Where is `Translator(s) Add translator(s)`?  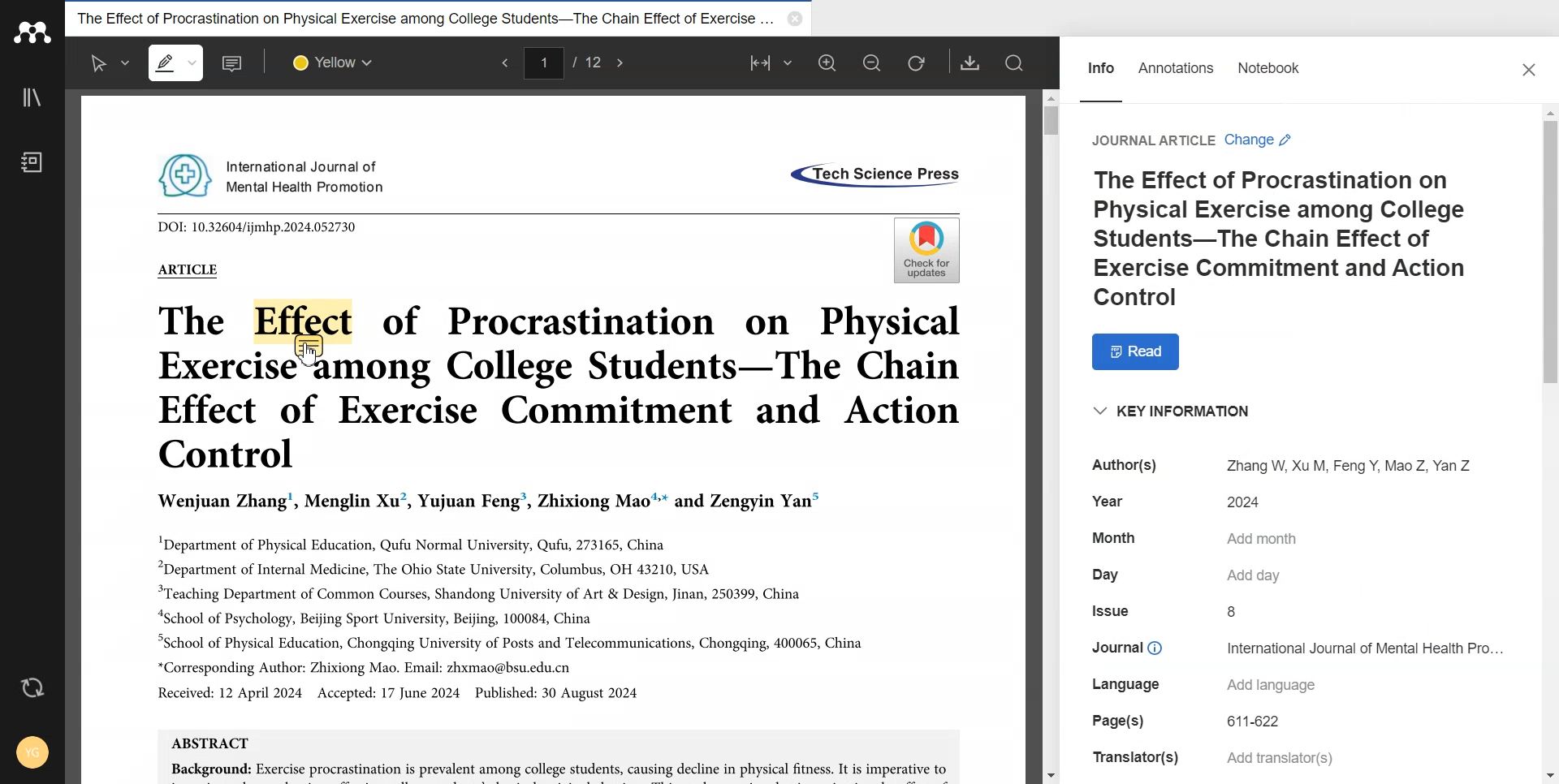 Translator(s) Add translator(s) is located at coordinates (1212, 758).